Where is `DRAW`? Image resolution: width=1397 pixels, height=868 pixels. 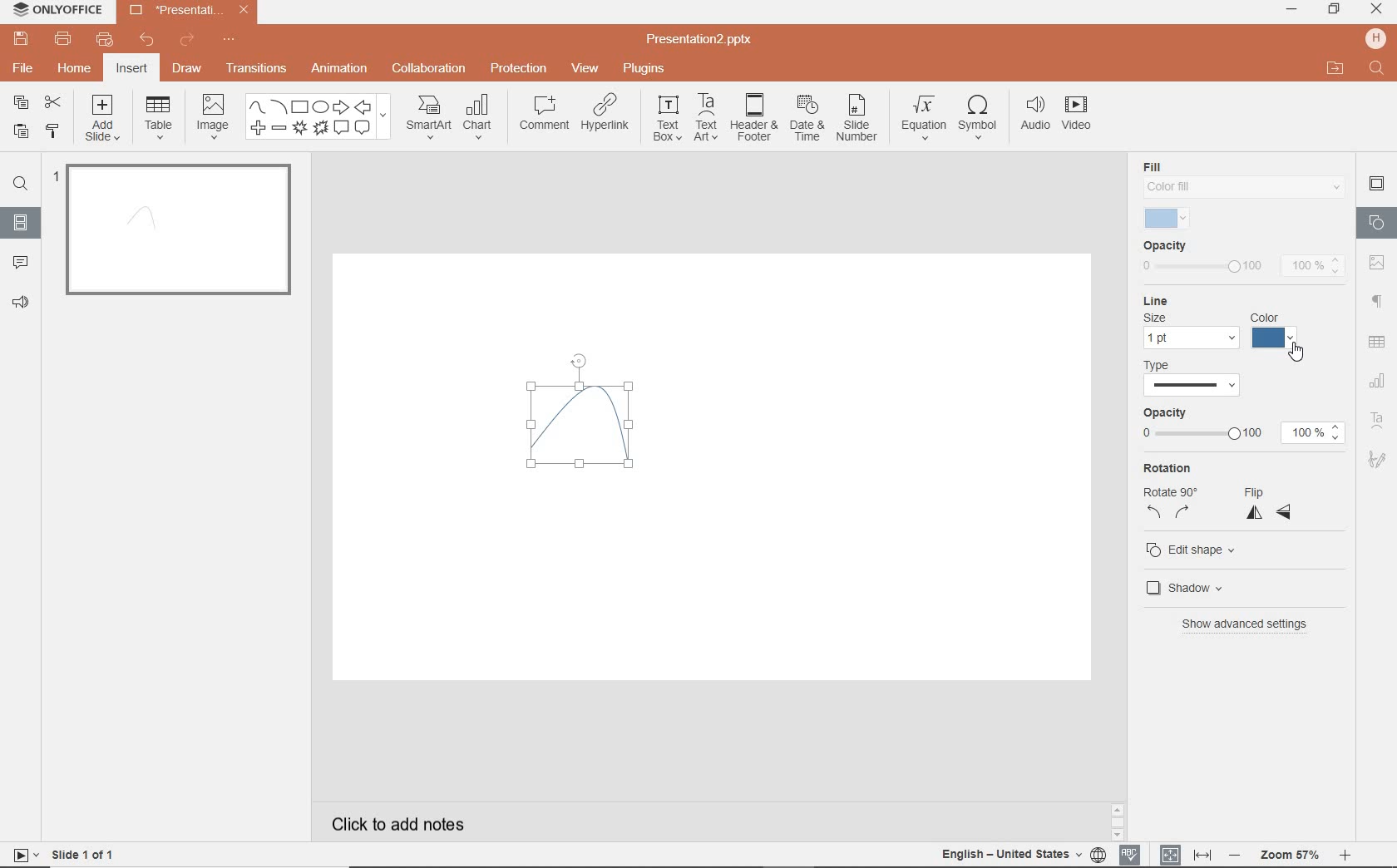
DRAW is located at coordinates (188, 70).